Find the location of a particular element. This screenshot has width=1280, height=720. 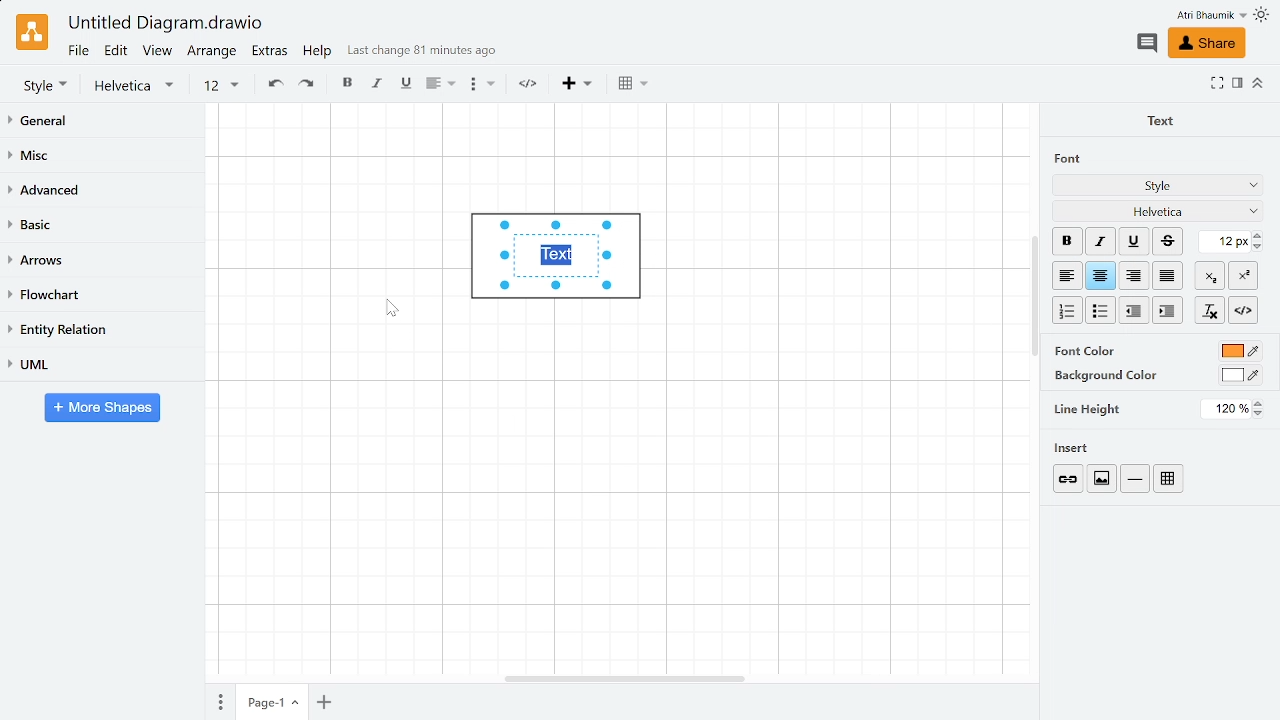

Current line height is located at coordinates (1227, 409).